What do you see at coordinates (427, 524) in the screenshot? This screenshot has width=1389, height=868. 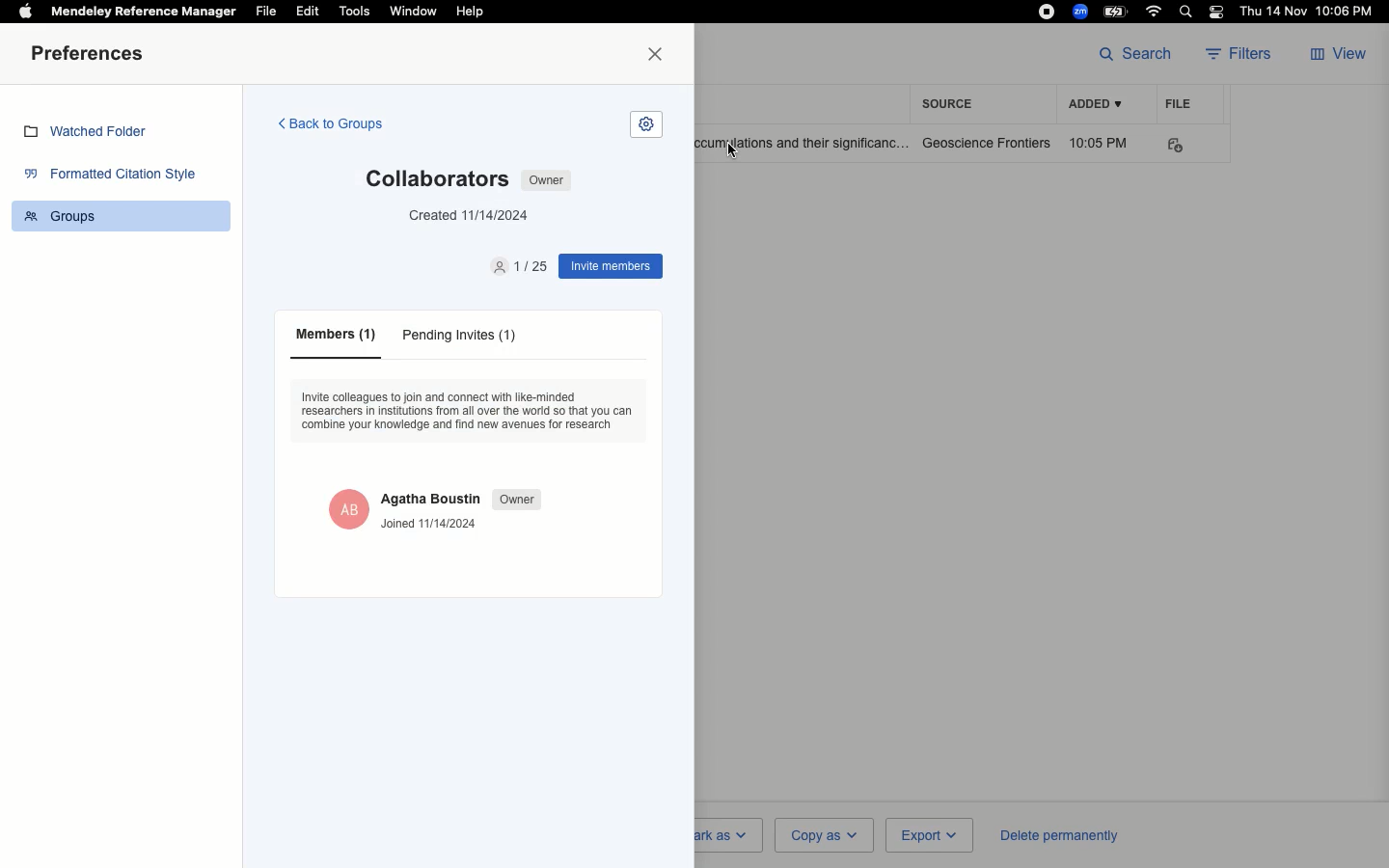 I see `Joined 11/14/2024` at bounding box center [427, 524].